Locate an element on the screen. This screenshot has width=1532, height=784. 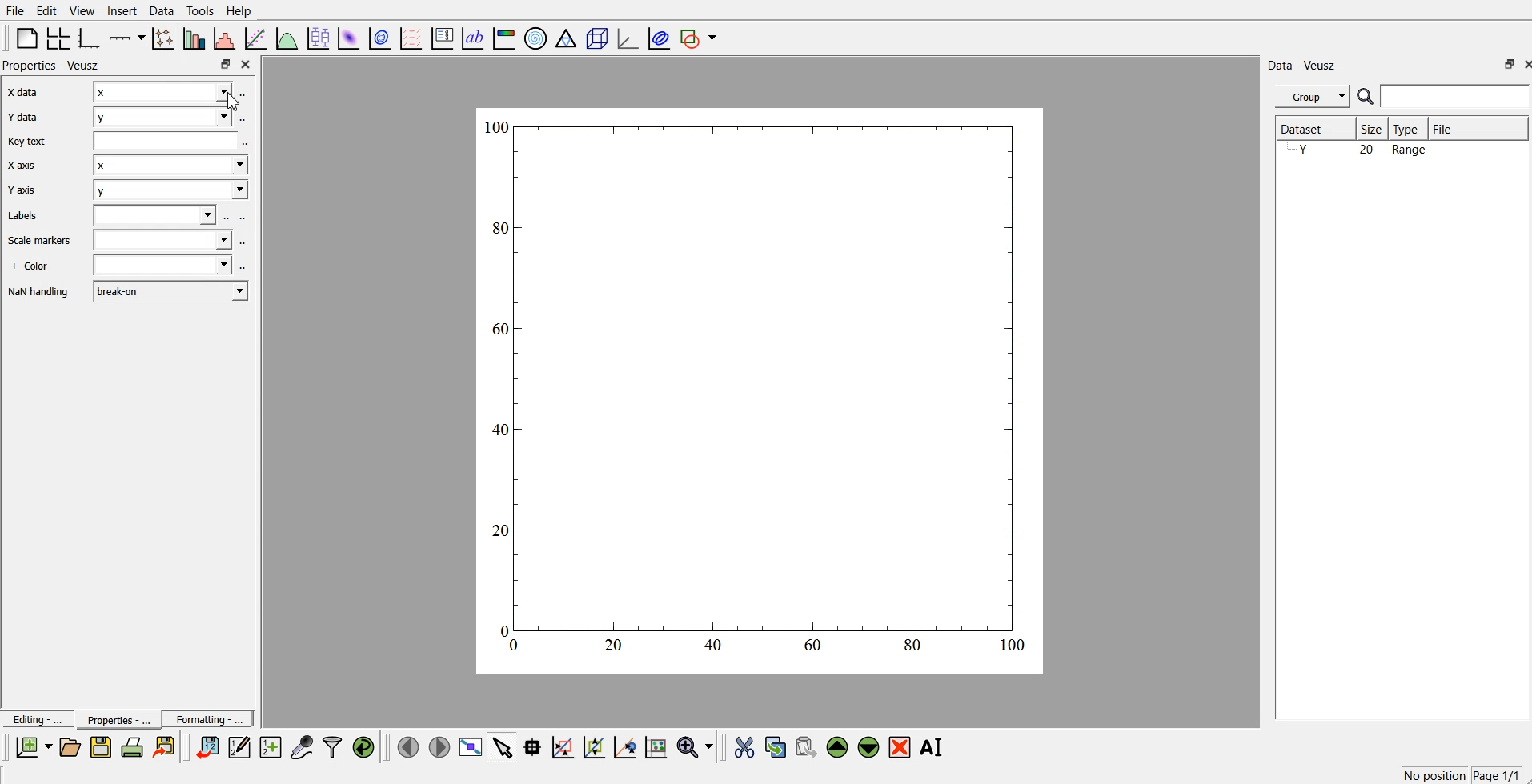
File is located at coordinates (15, 11).